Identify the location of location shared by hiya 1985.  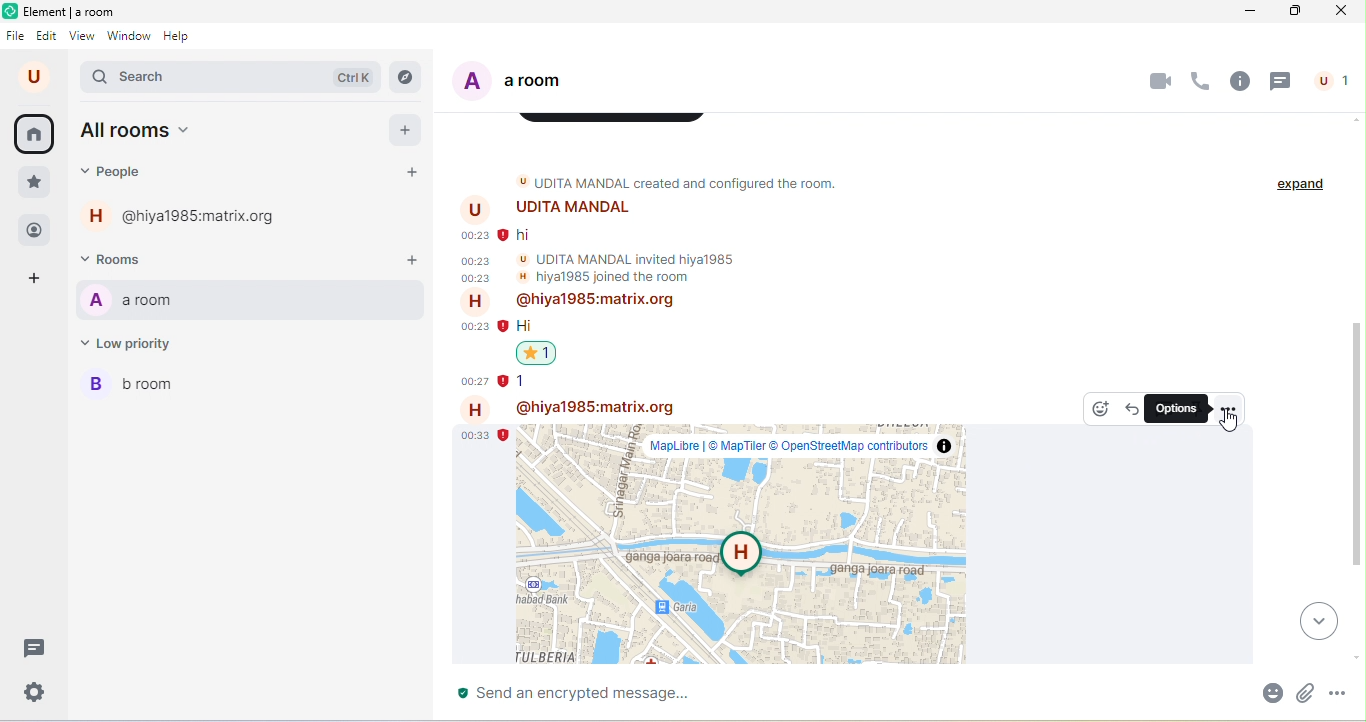
(741, 544).